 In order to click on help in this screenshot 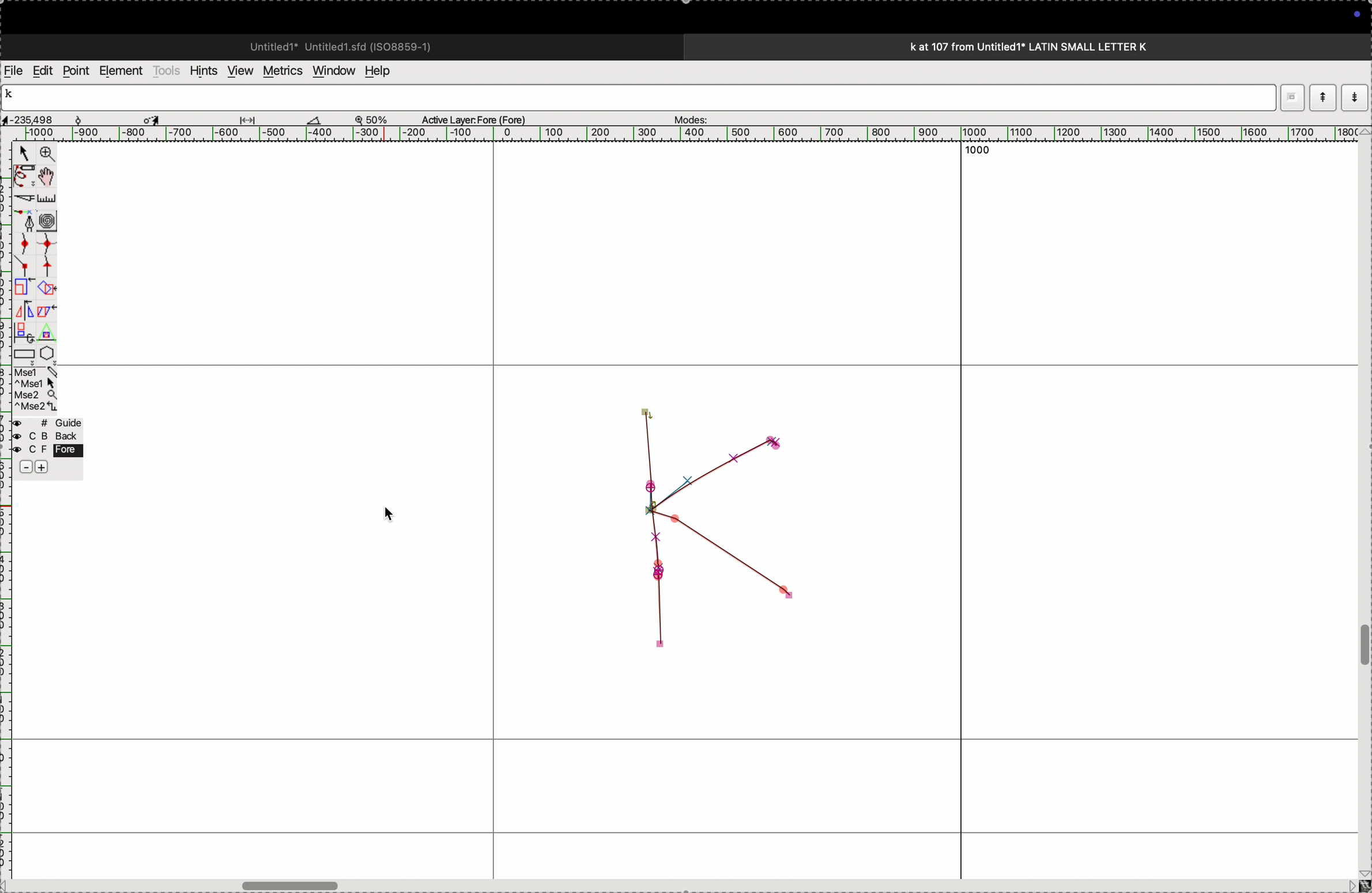, I will do `click(385, 71)`.